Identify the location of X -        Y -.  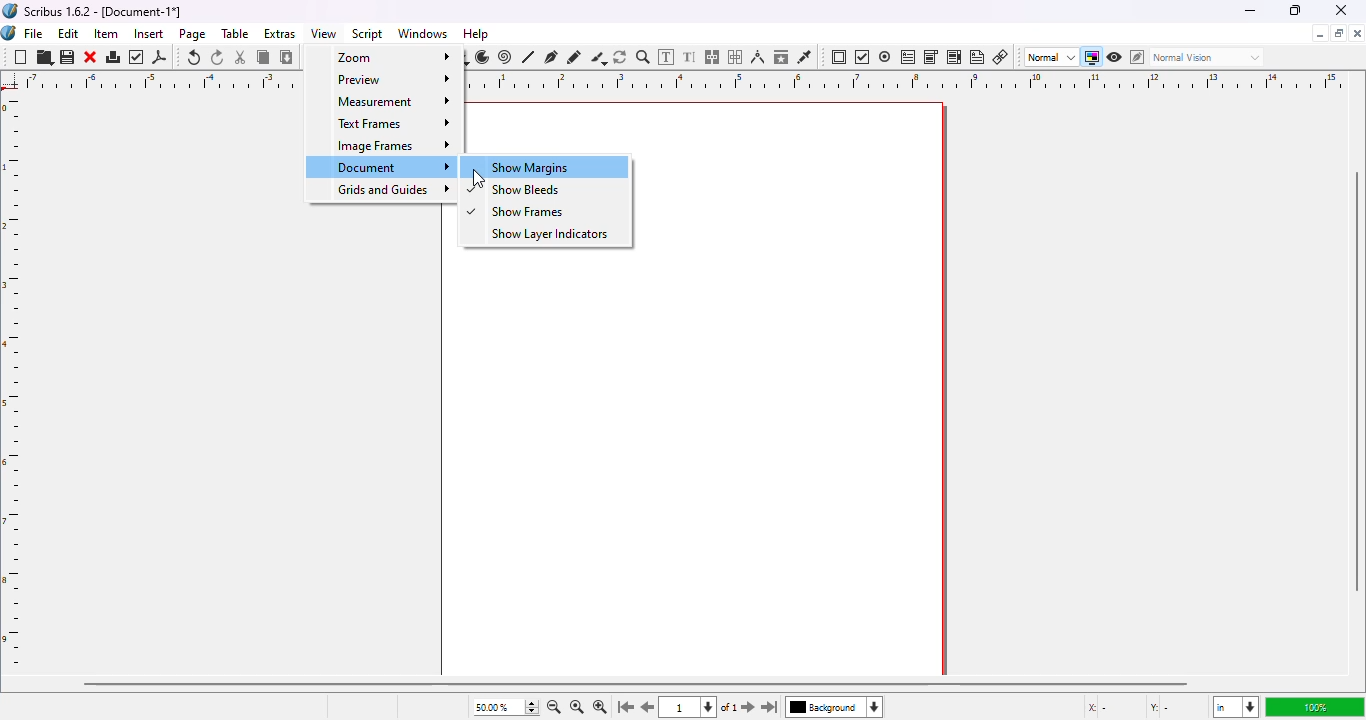
(1131, 708).